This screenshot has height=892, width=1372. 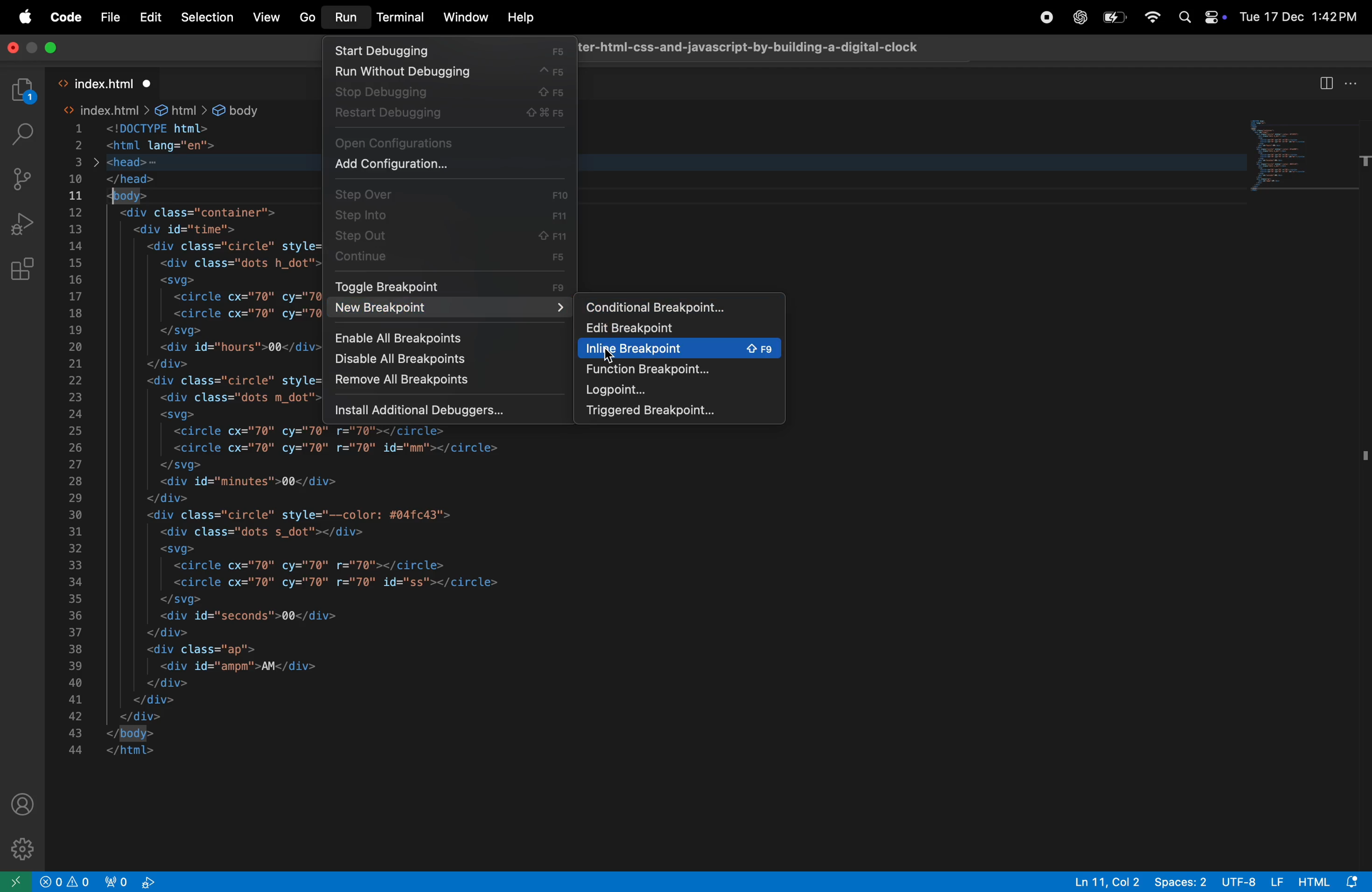 I want to click on index.html , so click(x=108, y=82).